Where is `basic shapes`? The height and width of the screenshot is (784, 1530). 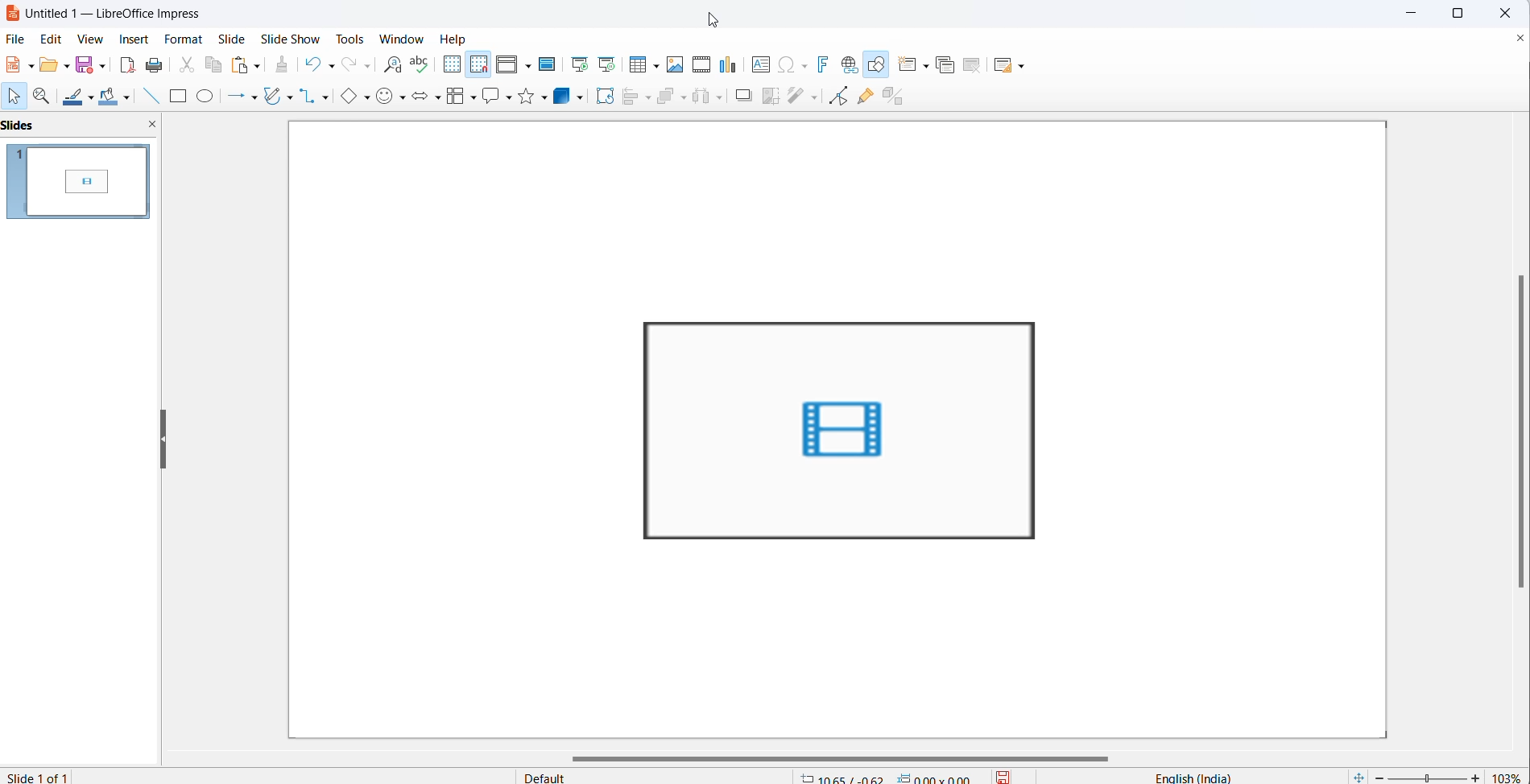
basic shapes is located at coordinates (349, 98).